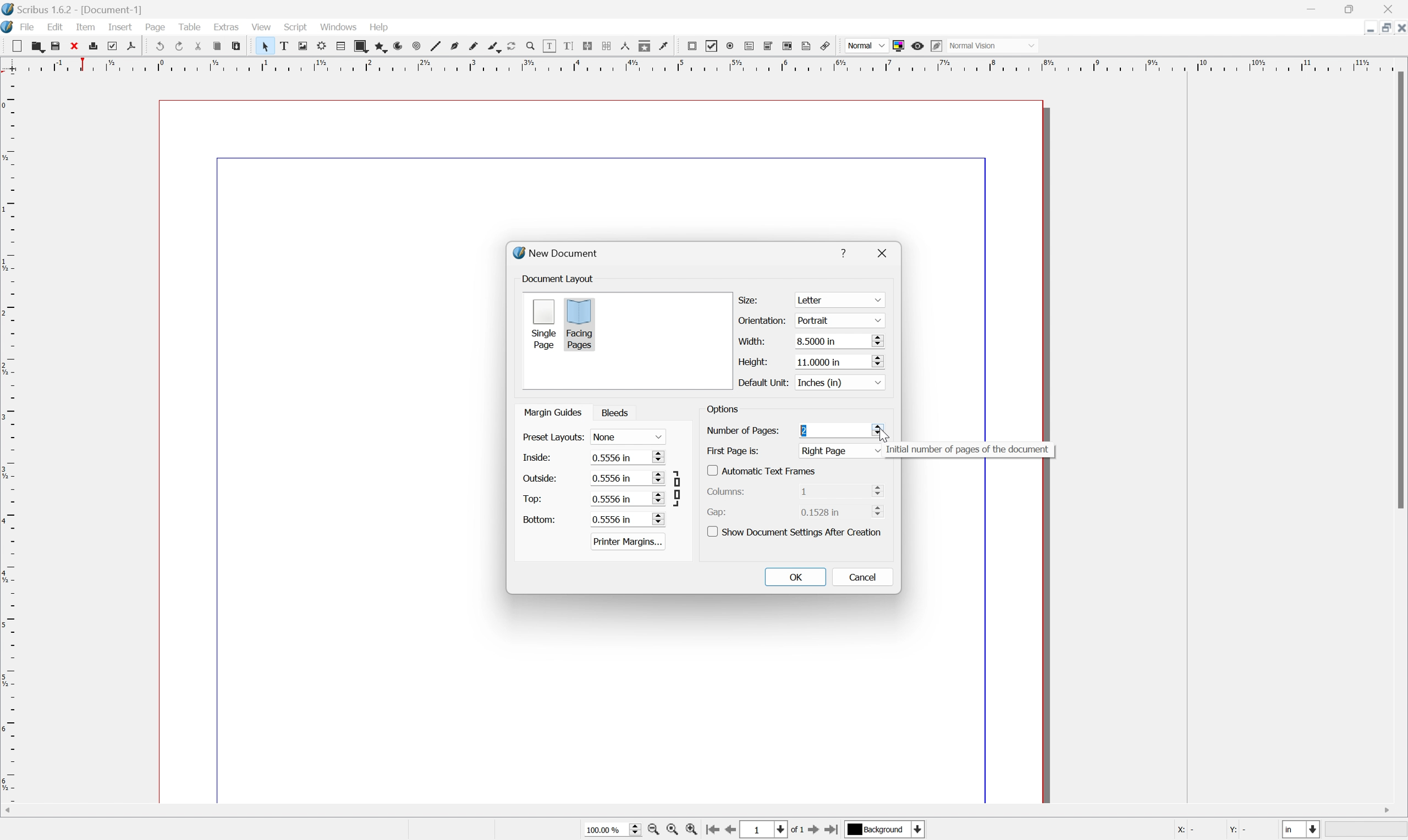 This screenshot has width=1408, height=840. Describe the element at coordinates (764, 321) in the screenshot. I see `orientation:` at that location.